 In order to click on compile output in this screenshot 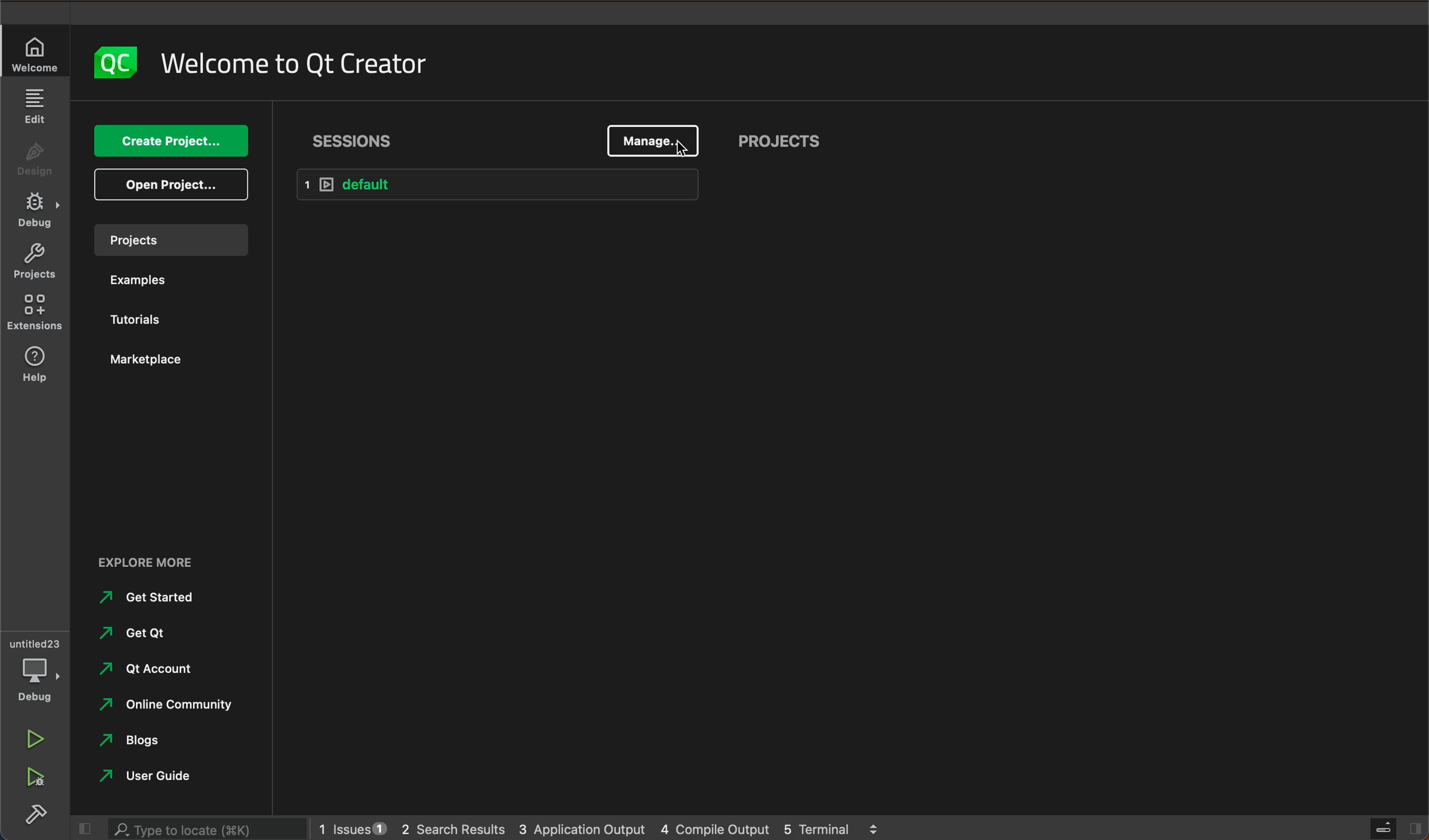, I will do `click(715, 827)`.